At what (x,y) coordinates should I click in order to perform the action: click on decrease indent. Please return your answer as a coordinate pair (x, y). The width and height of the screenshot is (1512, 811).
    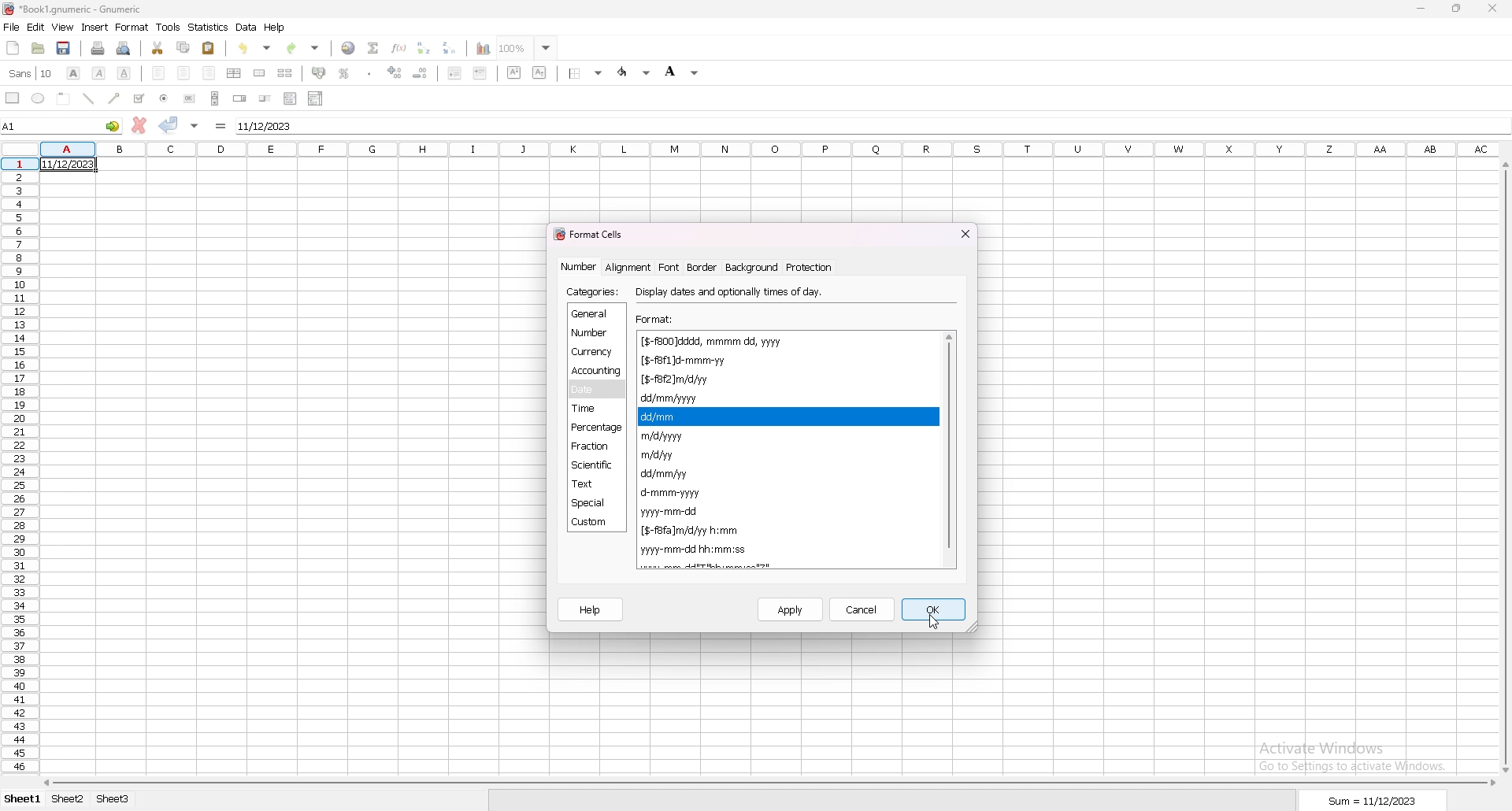
    Looking at the image, I should click on (420, 73).